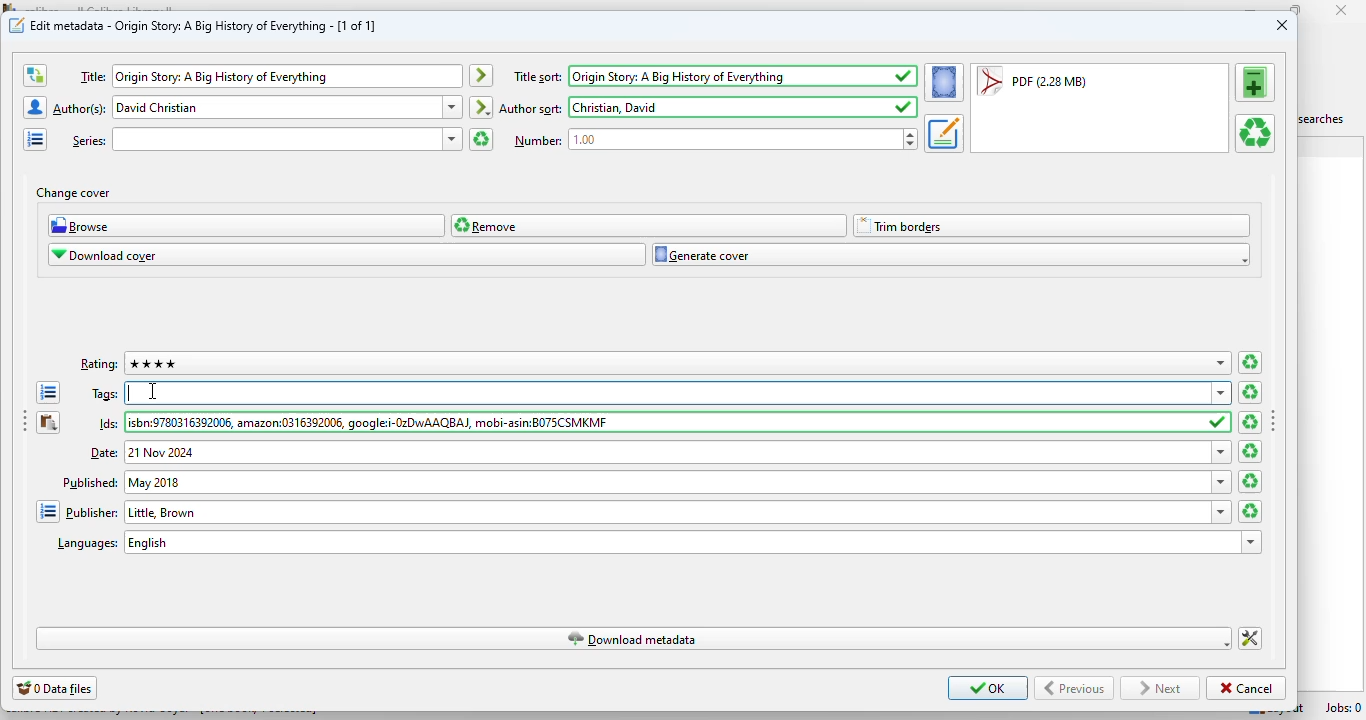  I want to click on automatically create the author sort entry based on the current author entry, so click(482, 107).